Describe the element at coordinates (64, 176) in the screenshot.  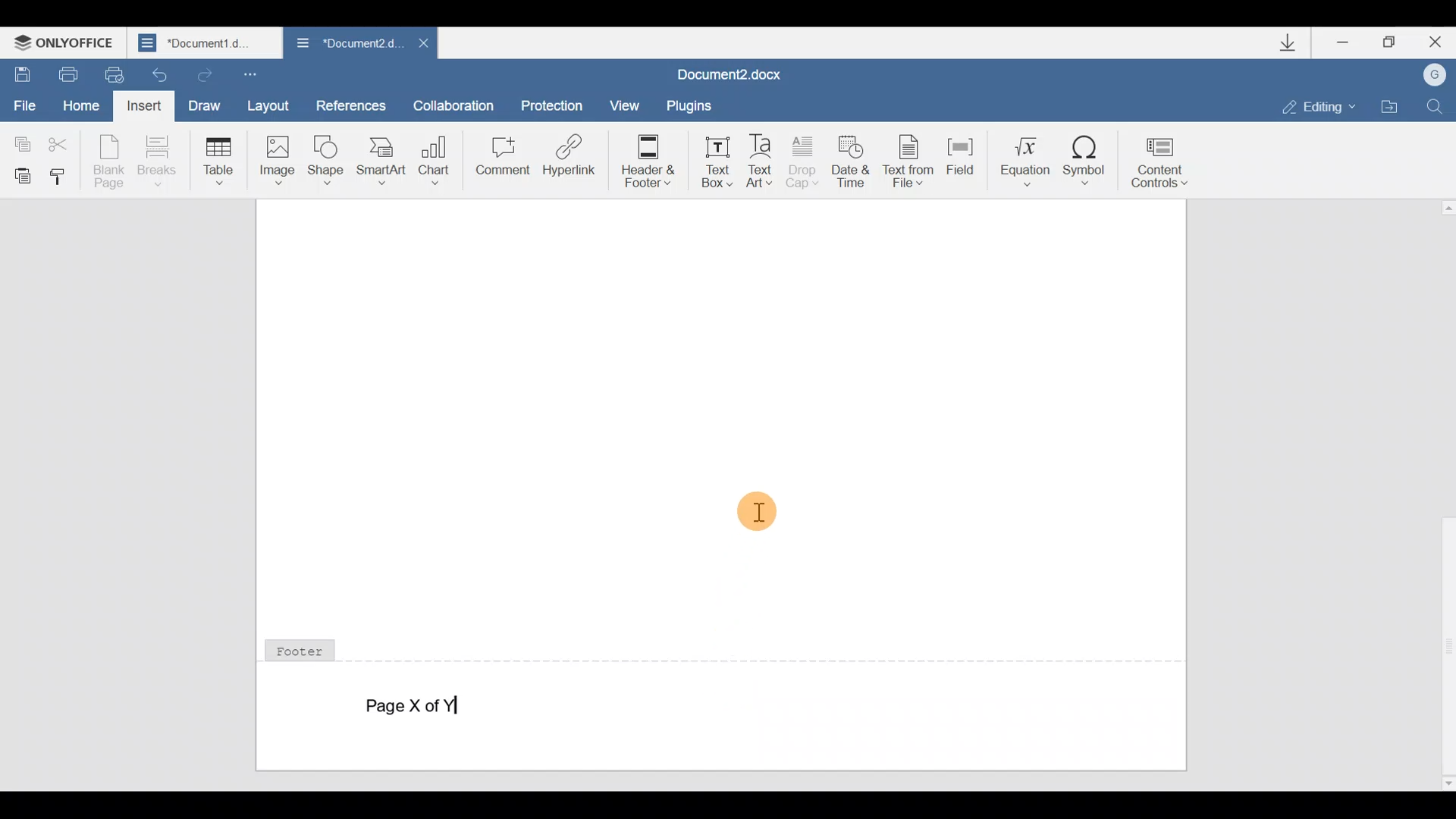
I see `Copy style` at that location.